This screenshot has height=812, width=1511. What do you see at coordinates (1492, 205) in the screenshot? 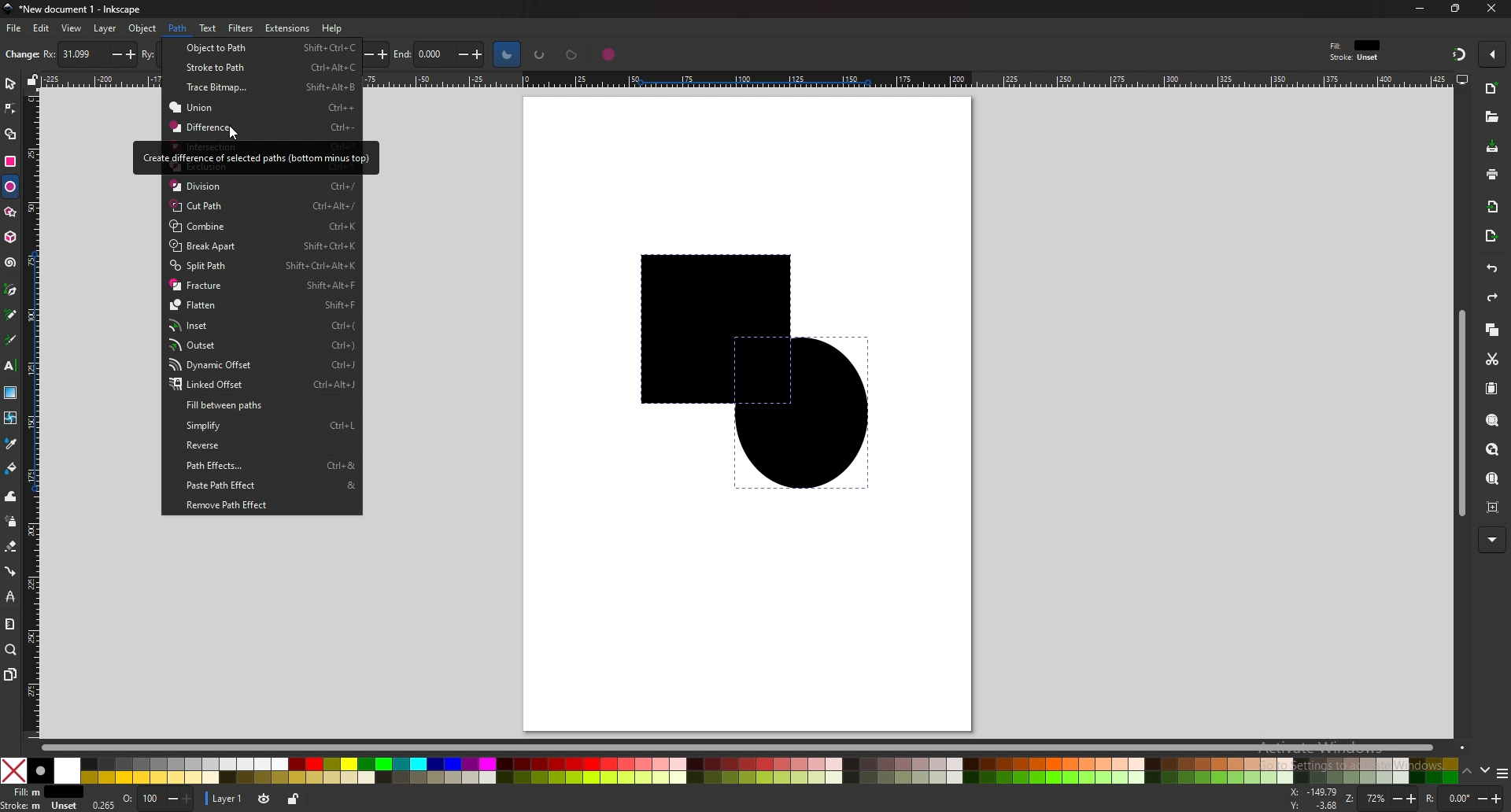
I see `import` at bounding box center [1492, 205].